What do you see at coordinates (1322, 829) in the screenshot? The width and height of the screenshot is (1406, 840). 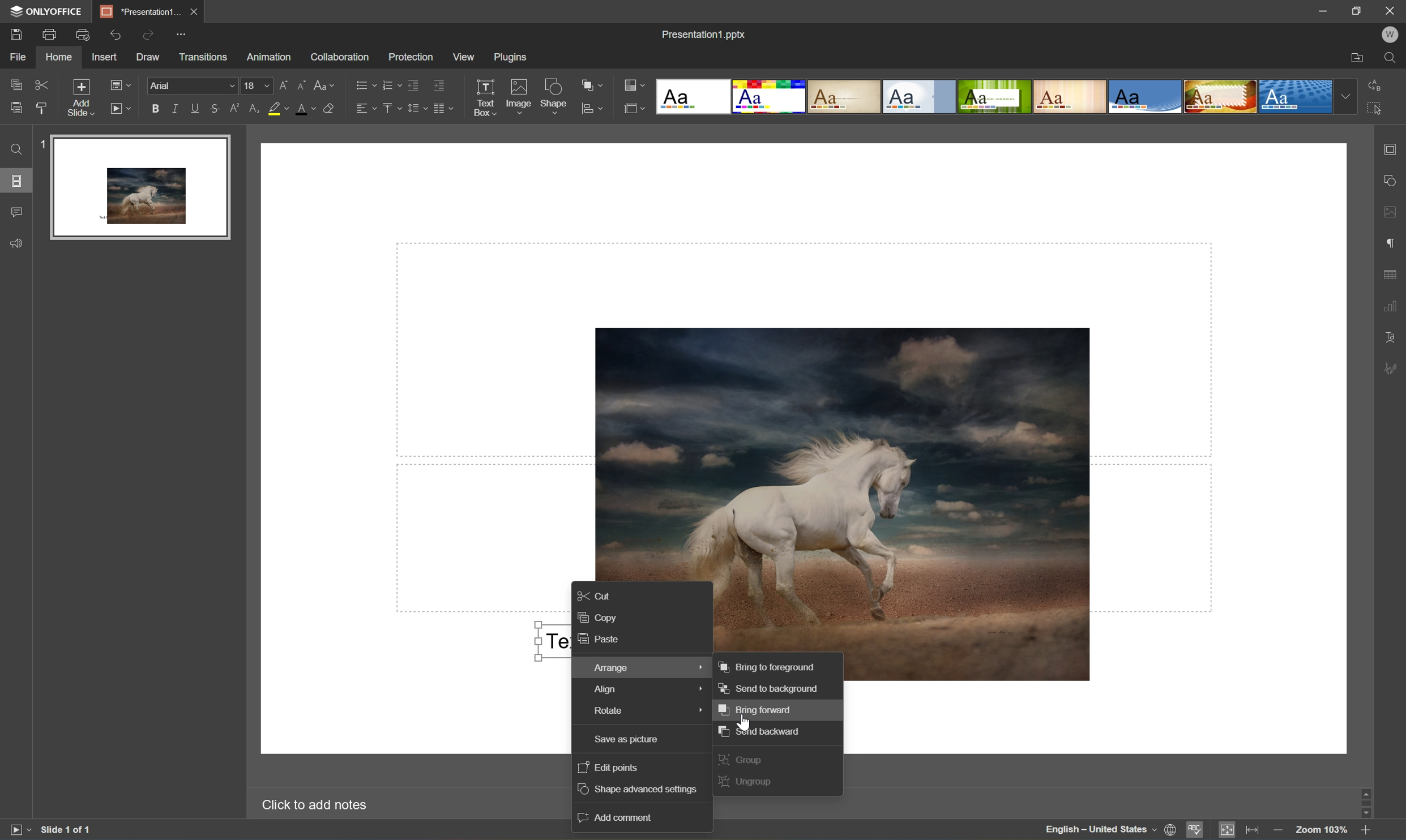 I see `Zoom 103%` at bounding box center [1322, 829].